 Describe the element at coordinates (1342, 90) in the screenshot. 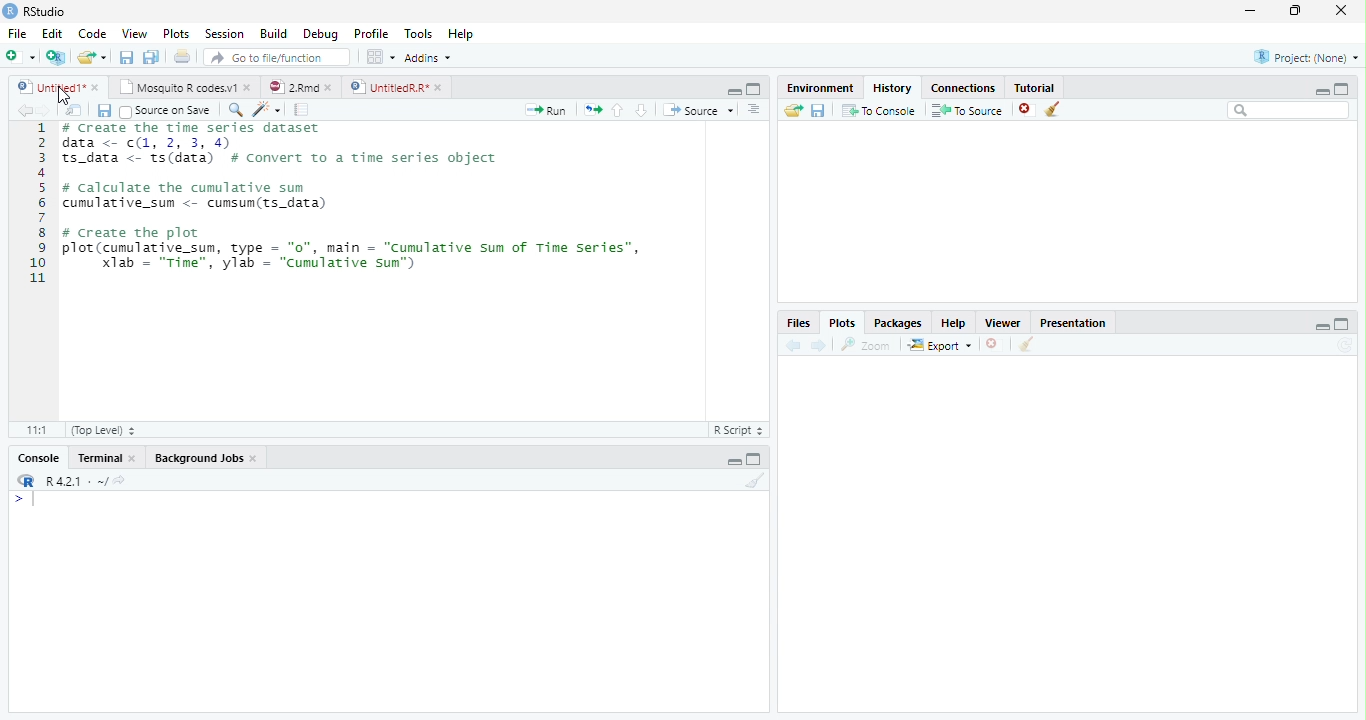

I see `Maximize` at that location.